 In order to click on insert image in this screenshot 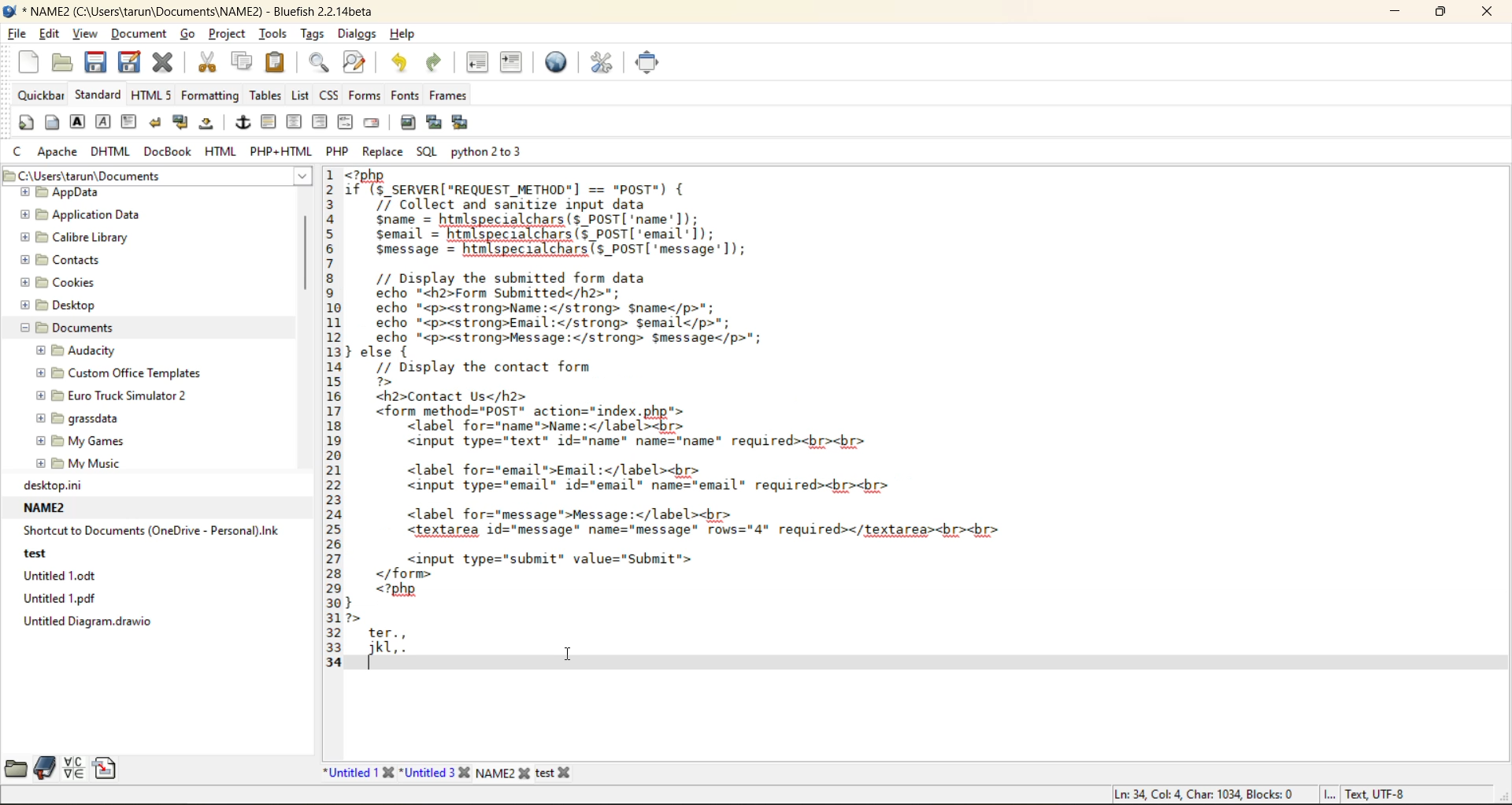, I will do `click(412, 124)`.